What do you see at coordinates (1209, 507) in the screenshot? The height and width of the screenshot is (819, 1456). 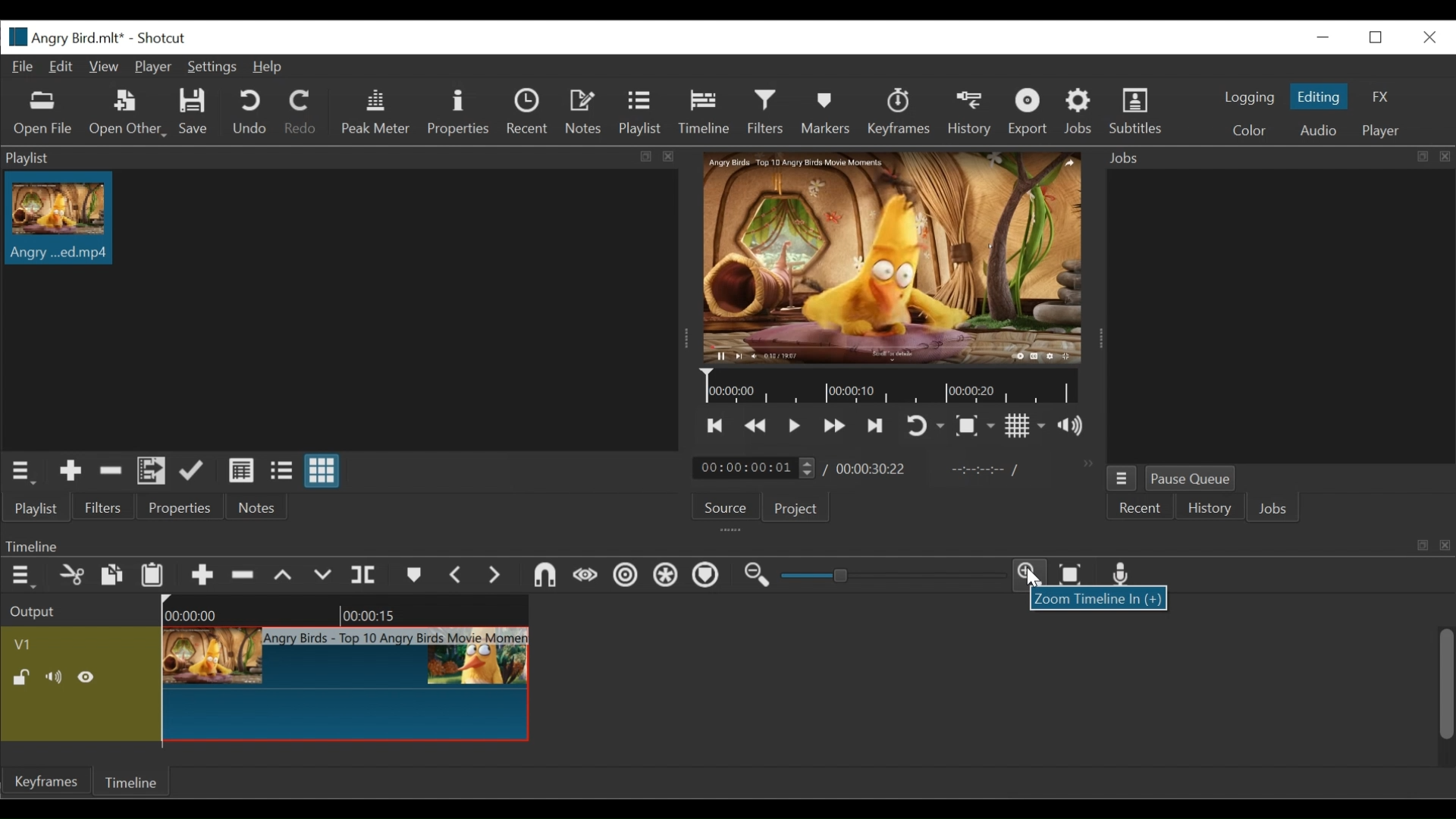 I see `History` at bounding box center [1209, 507].